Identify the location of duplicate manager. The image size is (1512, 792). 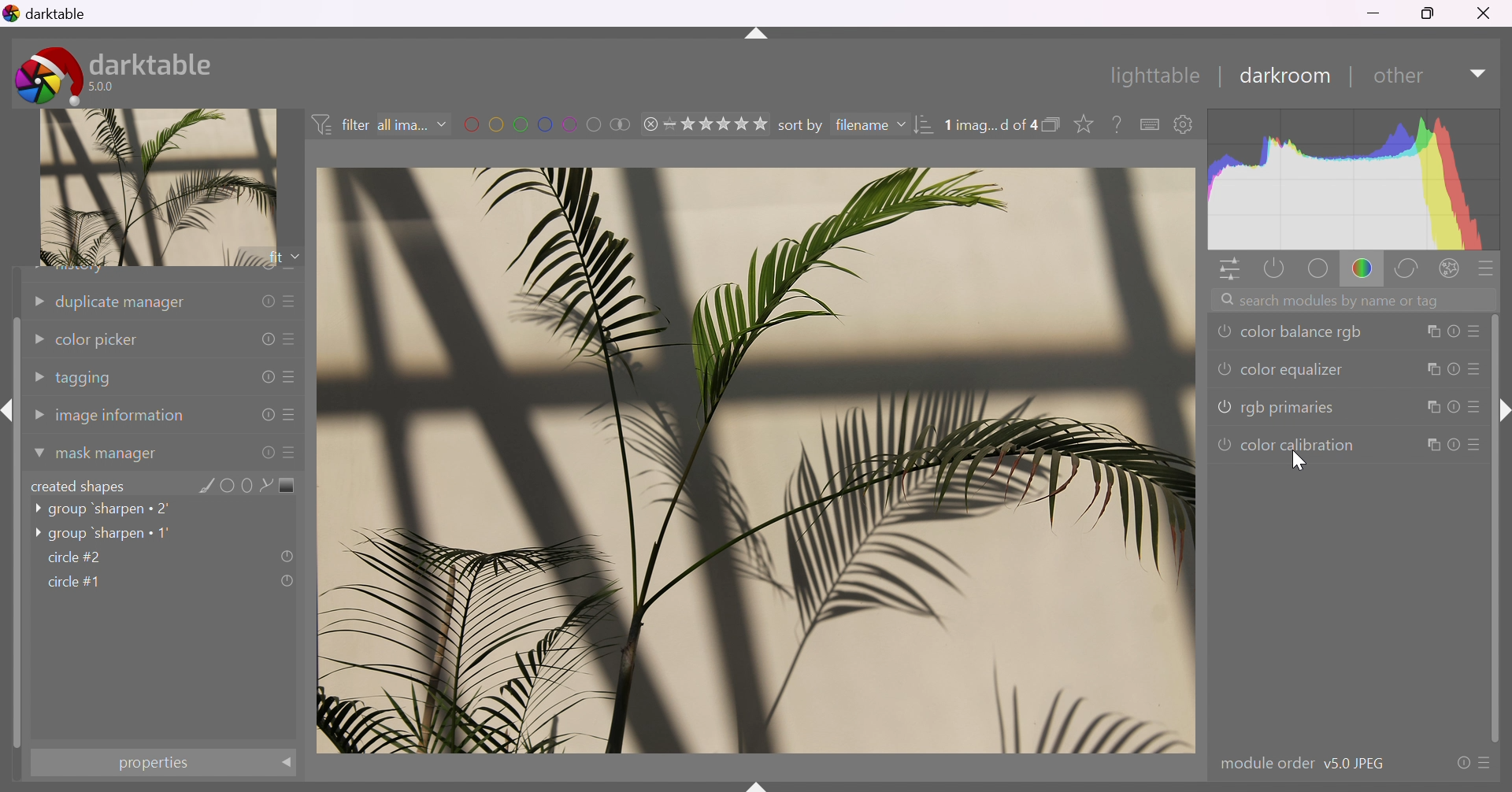
(162, 304).